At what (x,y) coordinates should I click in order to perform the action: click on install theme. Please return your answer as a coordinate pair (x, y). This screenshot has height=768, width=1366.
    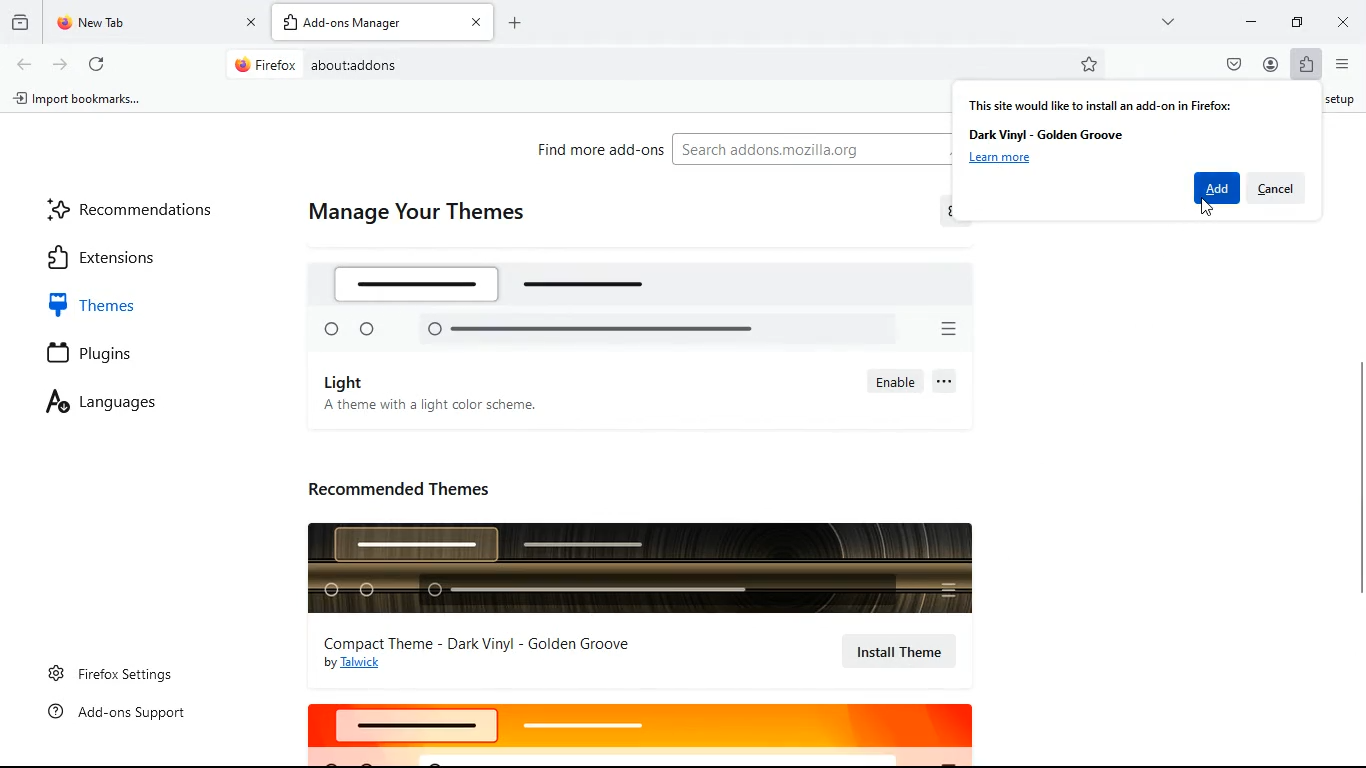
    Looking at the image, I should click on (902, 652).